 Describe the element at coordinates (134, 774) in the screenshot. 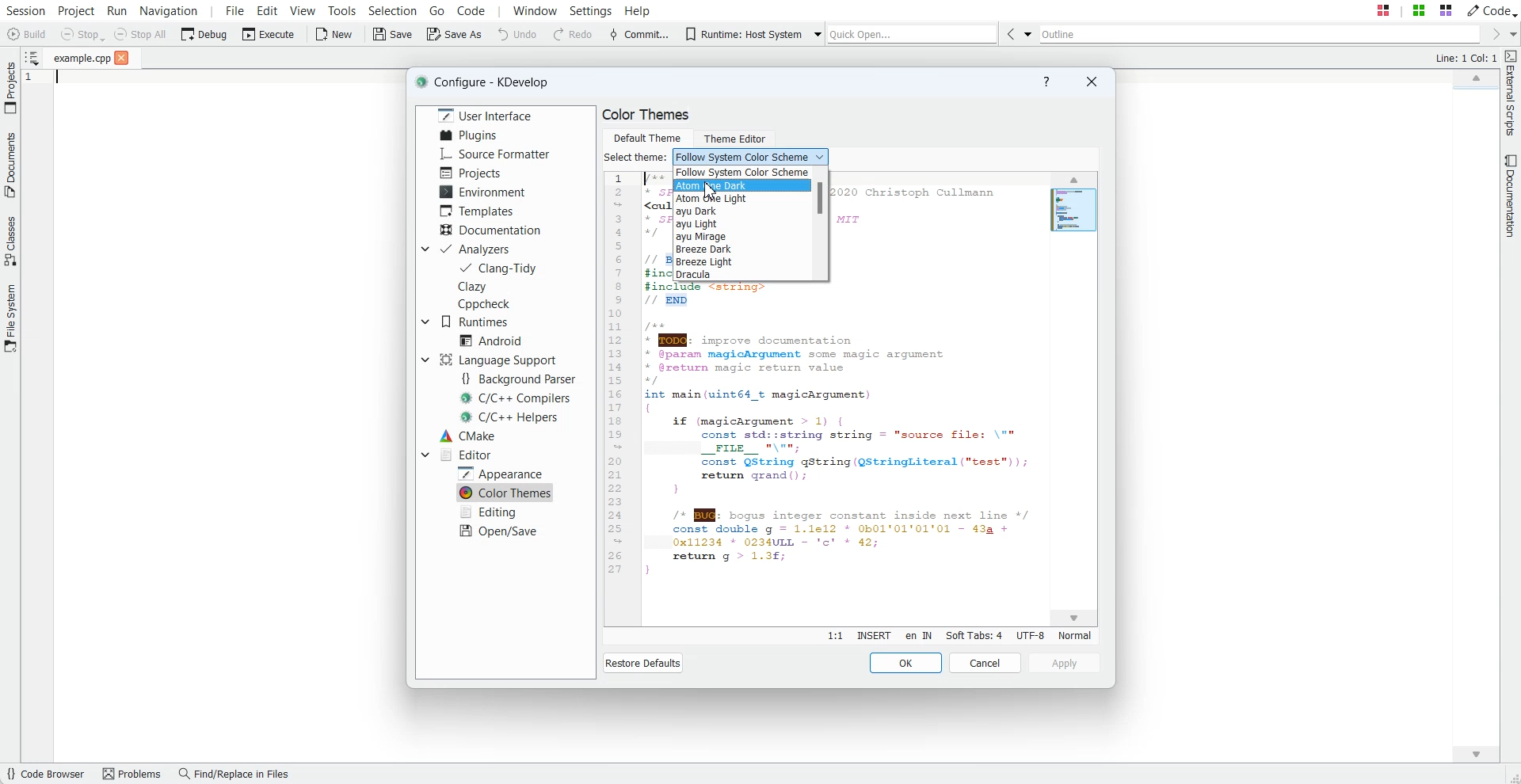

I see `Problems` at that location.